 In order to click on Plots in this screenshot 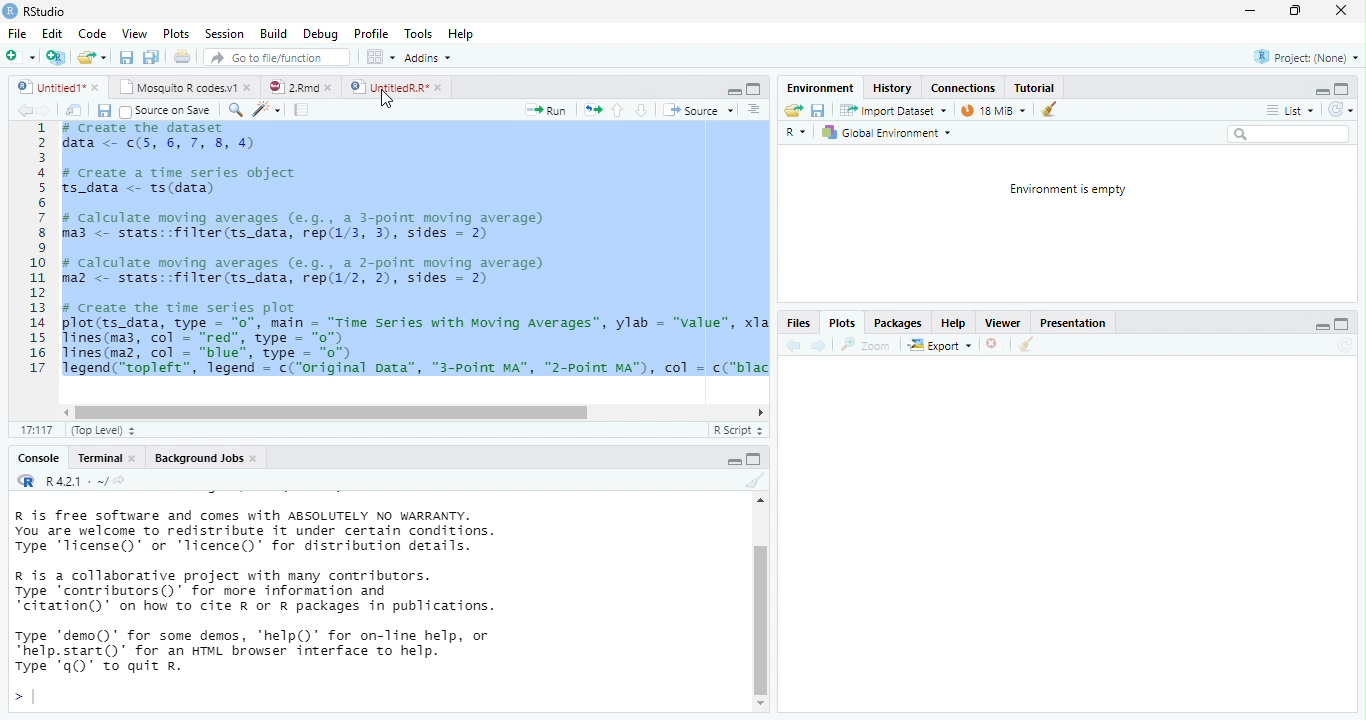, I will do `click(177, 34)`.